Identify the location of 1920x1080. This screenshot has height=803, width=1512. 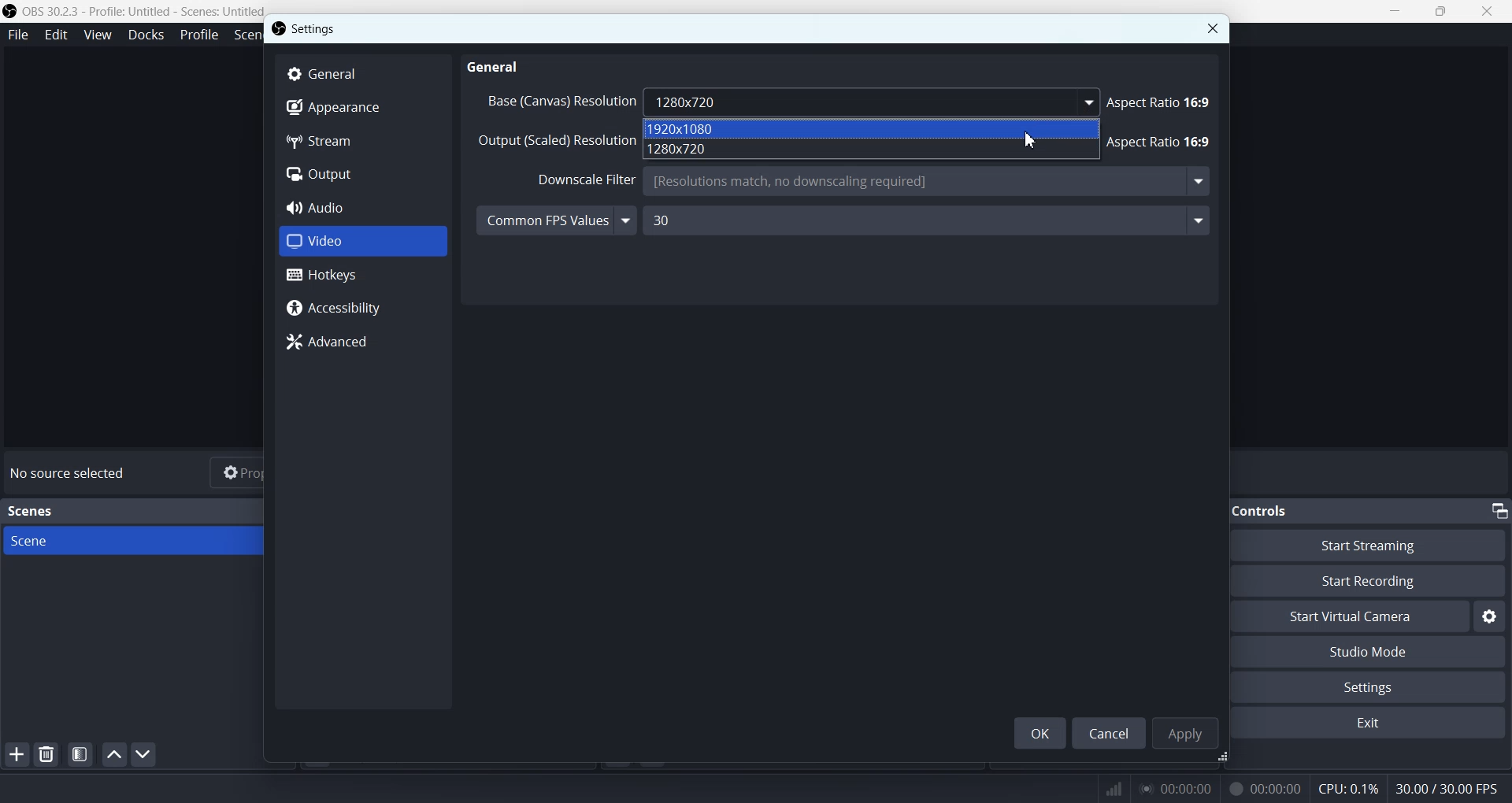
(870, 128).